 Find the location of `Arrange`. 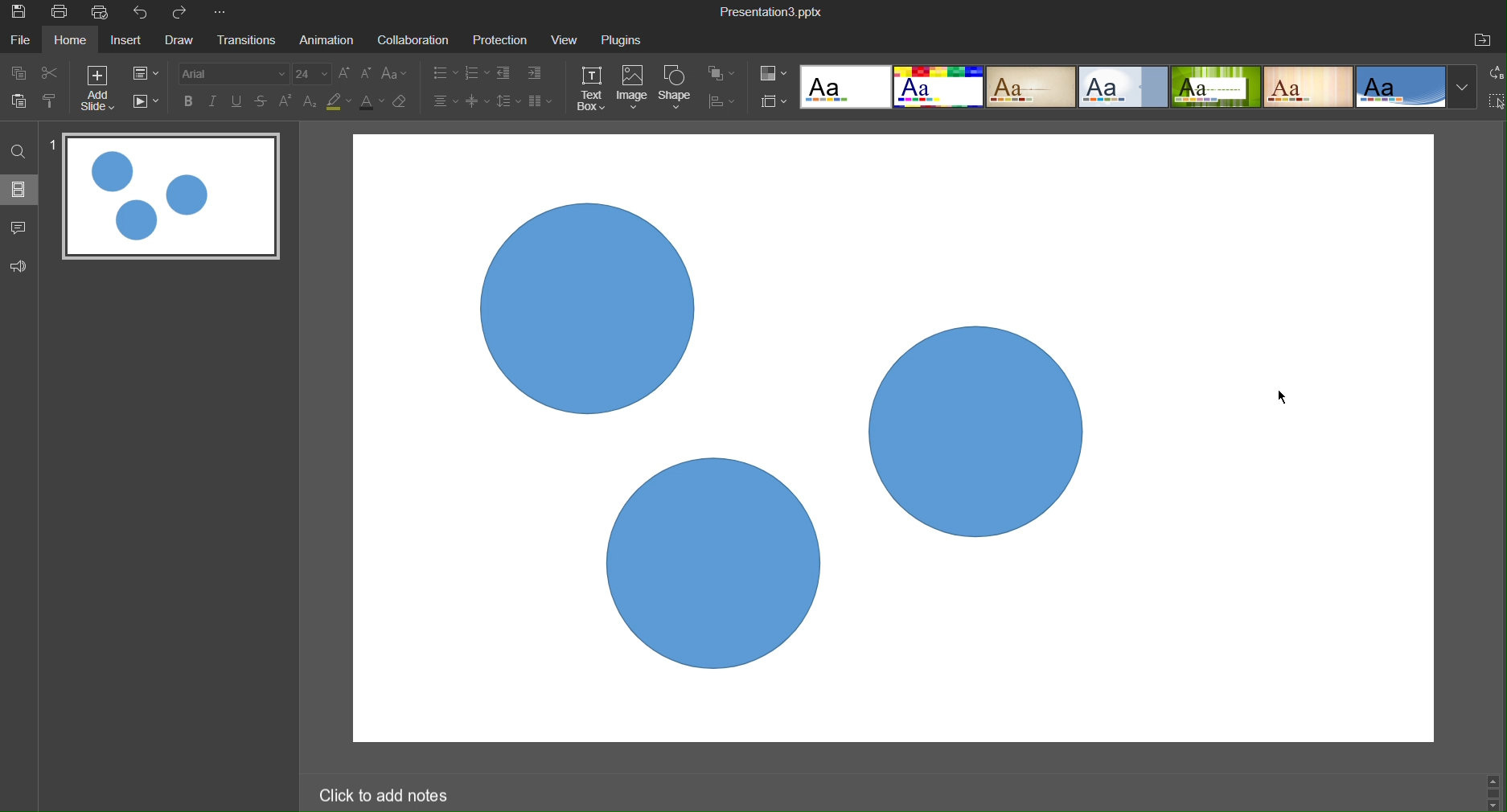

Arrange is located at coordinates (725, 76).